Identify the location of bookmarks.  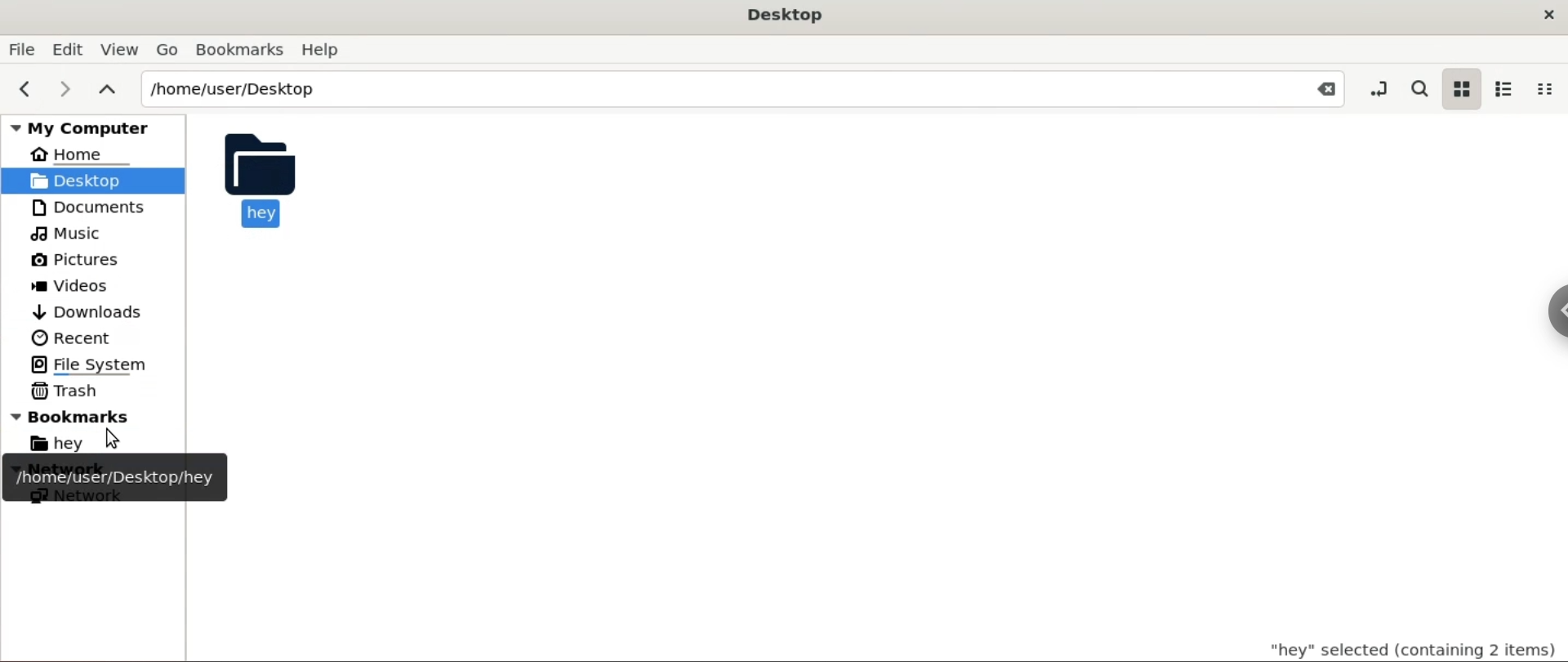
(108, 416).